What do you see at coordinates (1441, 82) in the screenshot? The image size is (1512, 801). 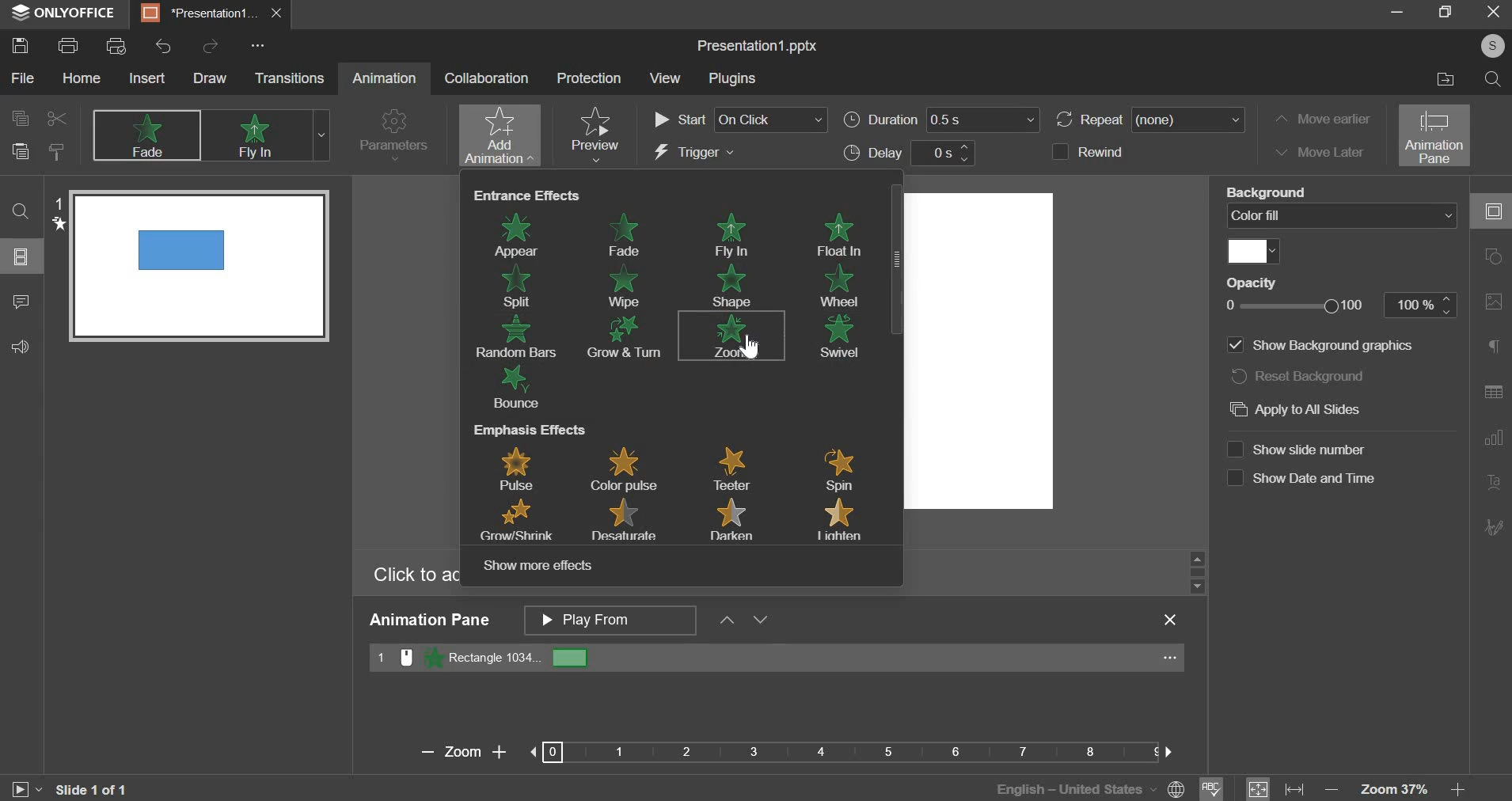 I see `open file location` at bounding box center [1441, 82].